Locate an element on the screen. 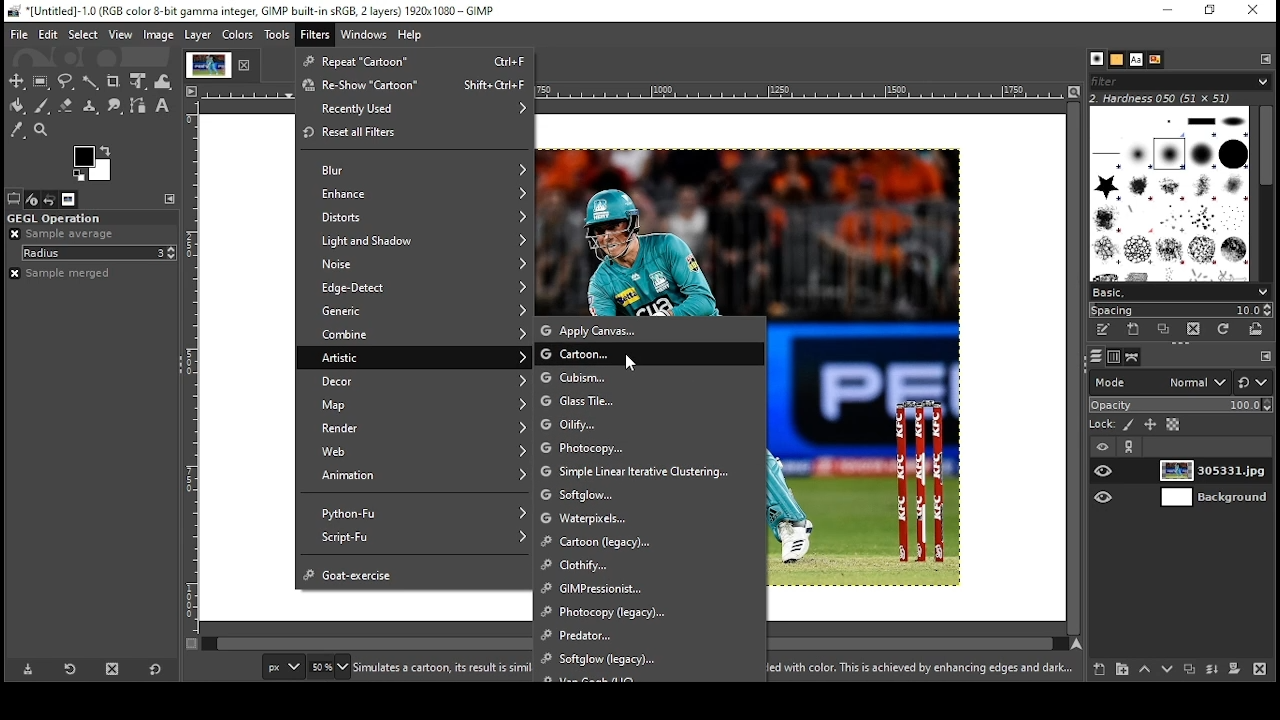 The image size is (1280, 720). delete tool preset is located at coordinates (113, 669).